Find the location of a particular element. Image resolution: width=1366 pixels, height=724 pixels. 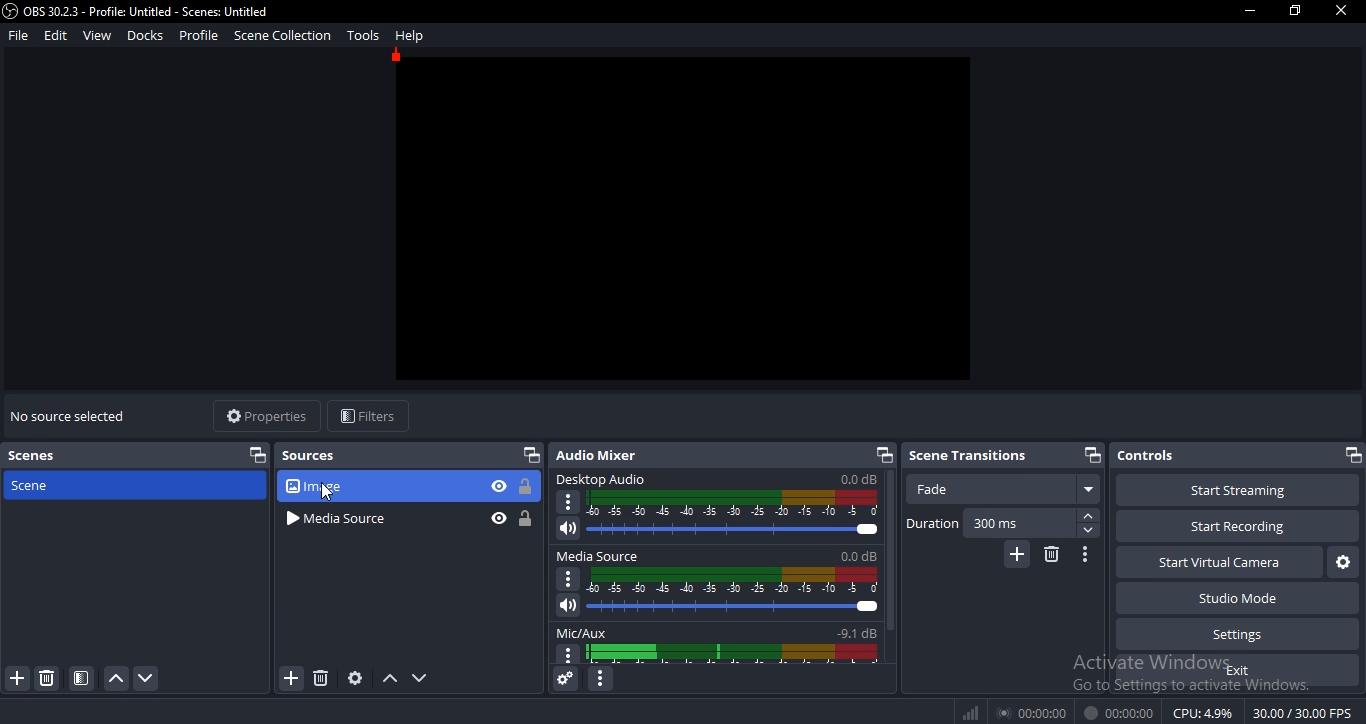

scene is located at coordinates (32, 486).